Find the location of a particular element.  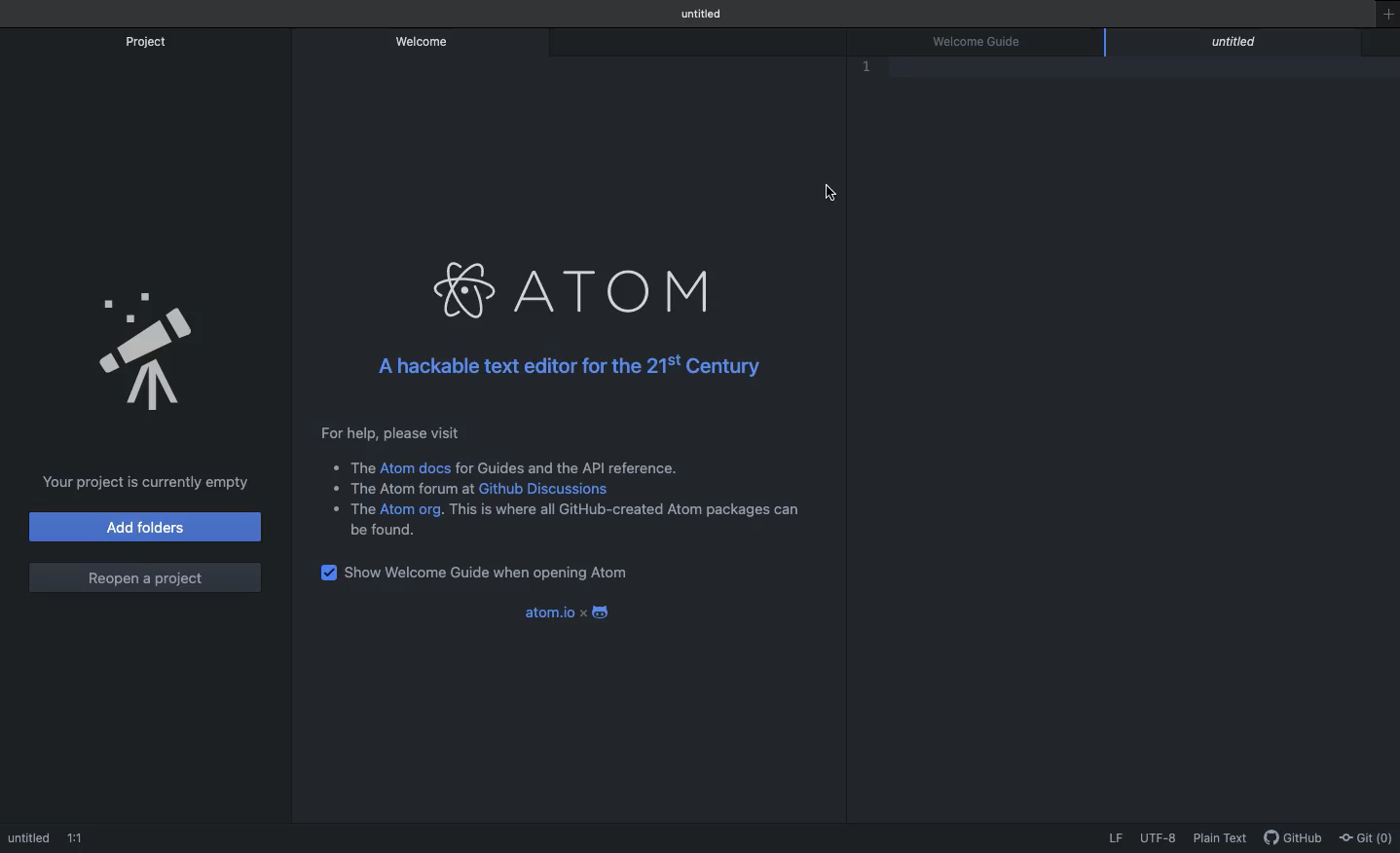

Plain text selected is located at coordinates (1221, 838).